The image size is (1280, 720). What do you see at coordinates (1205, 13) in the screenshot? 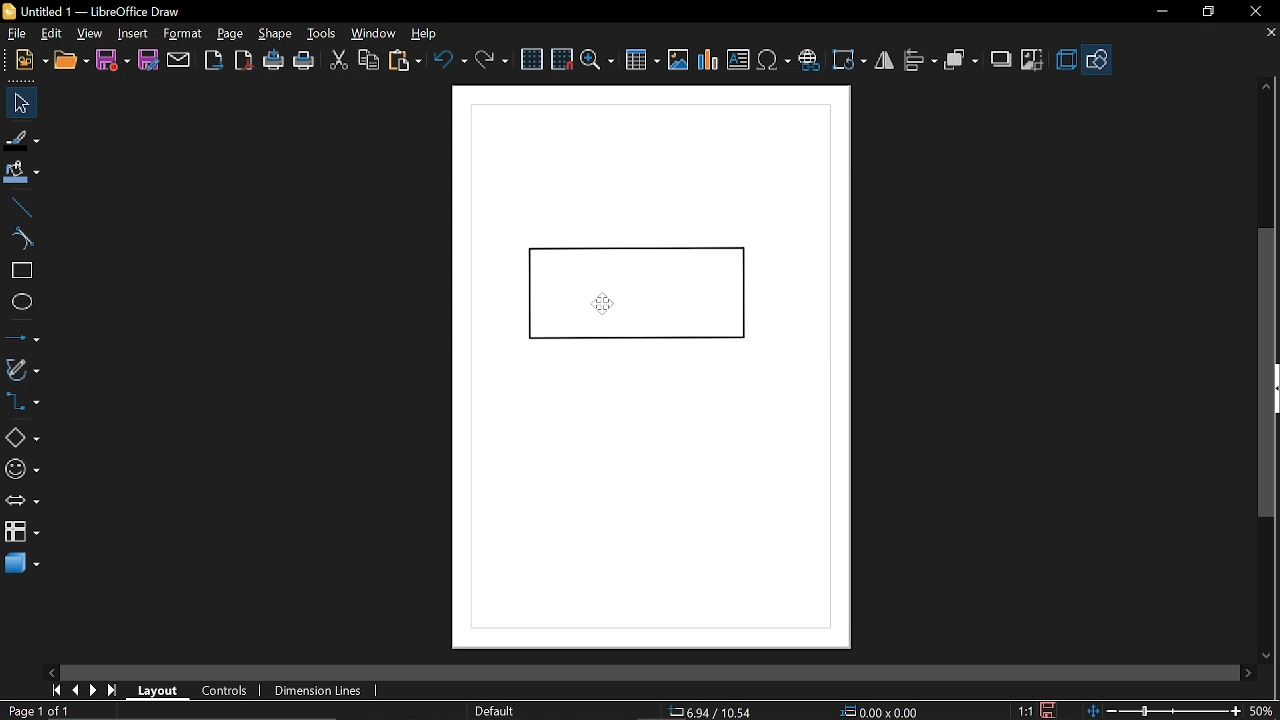
I see `Restore down` at bounding box center [1205, 13].